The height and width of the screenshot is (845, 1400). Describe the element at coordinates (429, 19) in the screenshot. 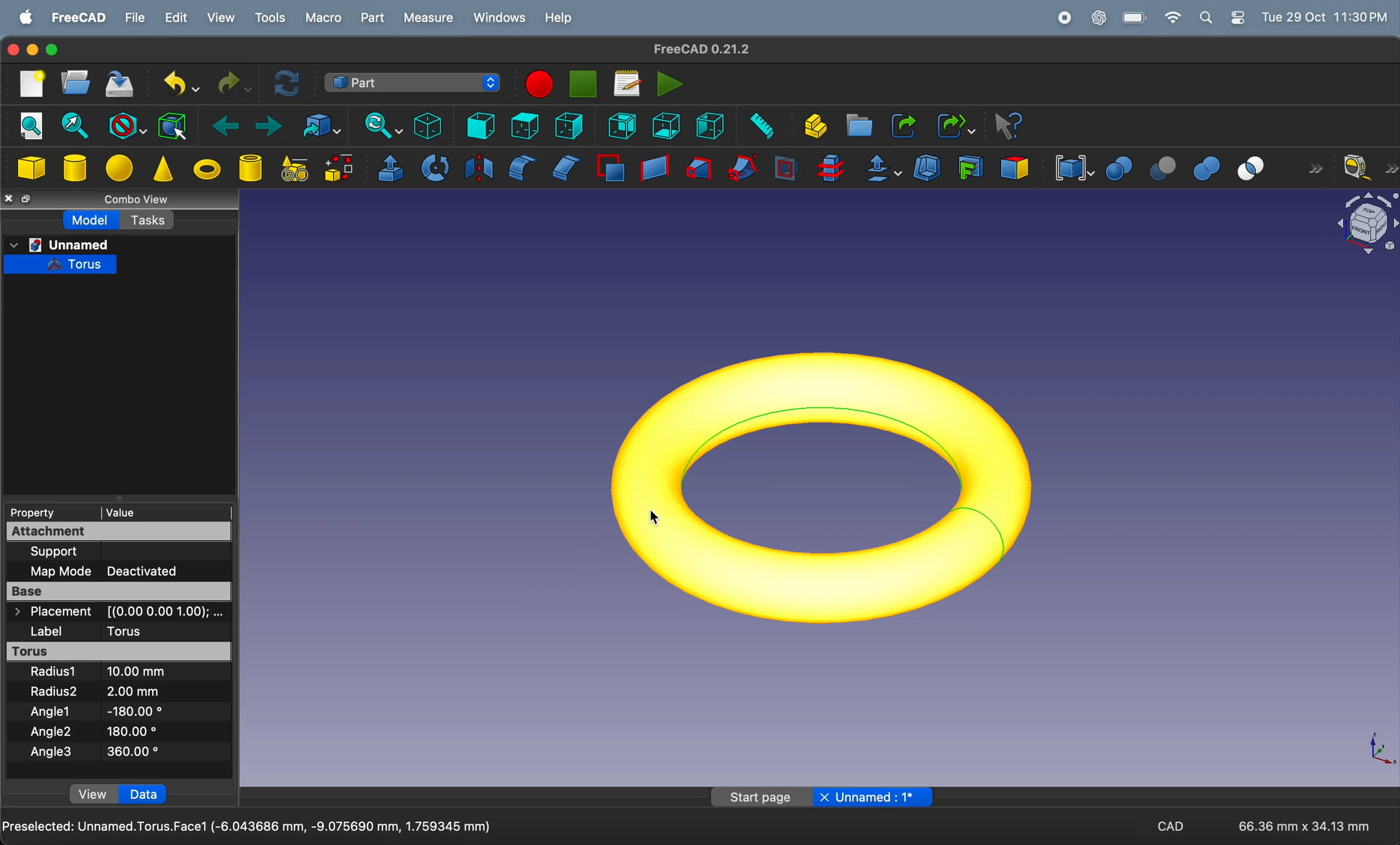

I see `measure` at that location.